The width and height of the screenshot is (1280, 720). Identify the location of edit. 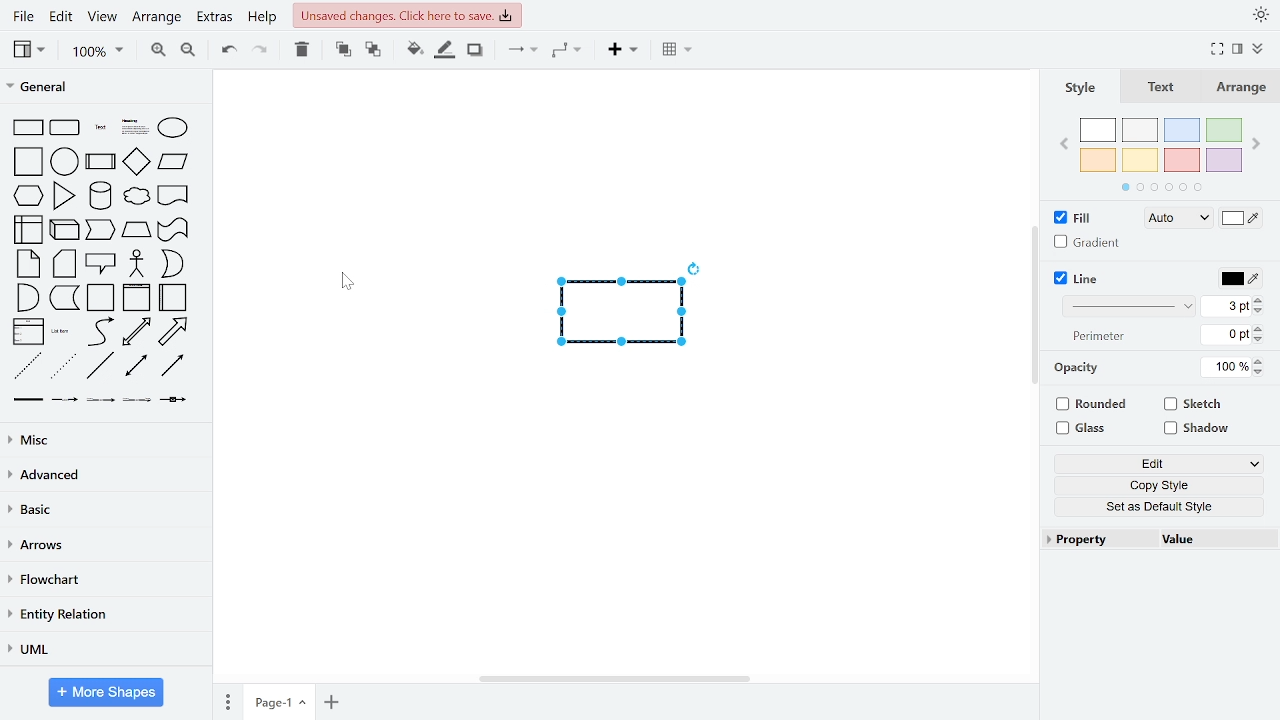
(64, 16).